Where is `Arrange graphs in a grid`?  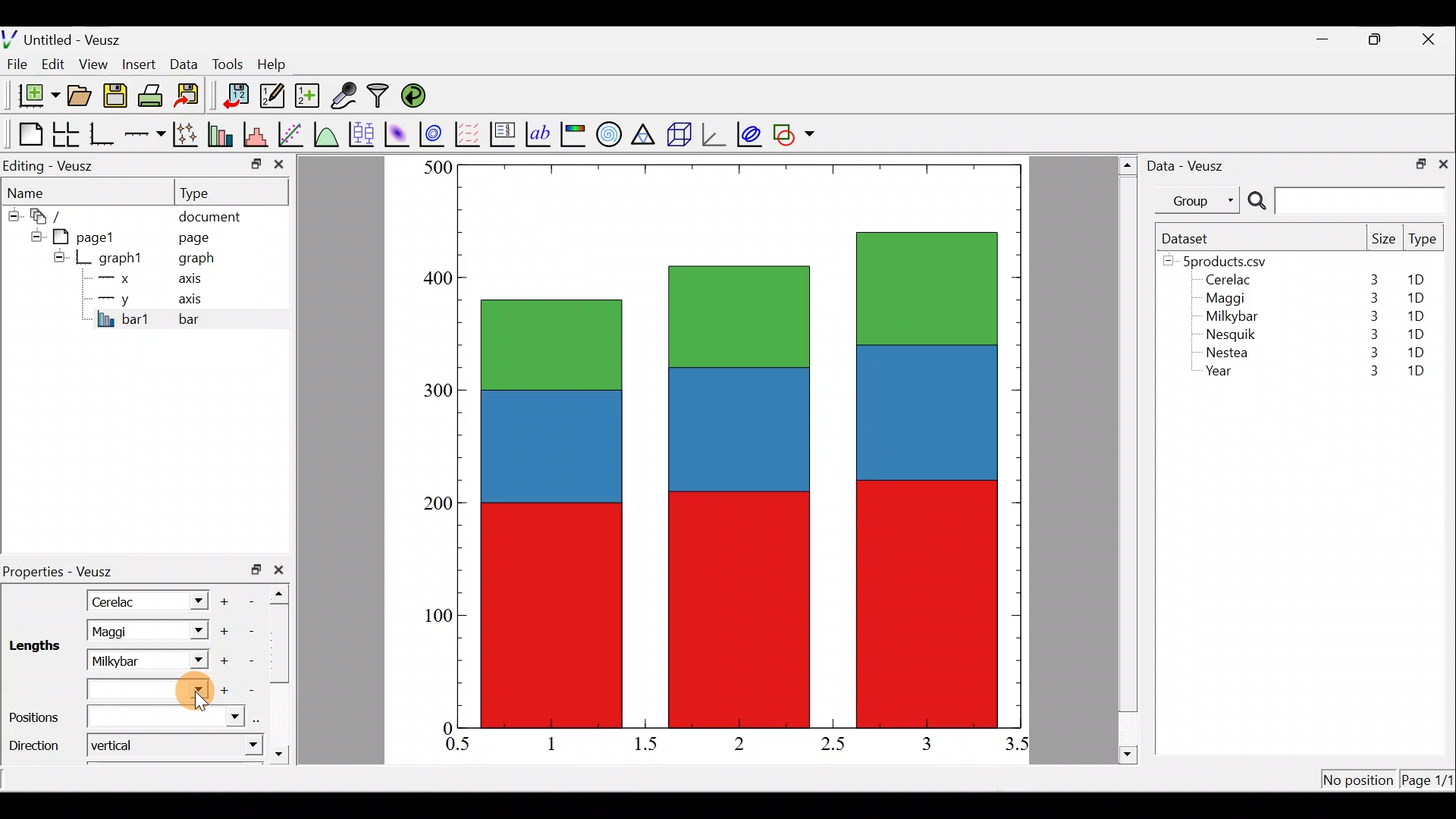
Arrange graphs in a grid is located at coordinates (65, 134).